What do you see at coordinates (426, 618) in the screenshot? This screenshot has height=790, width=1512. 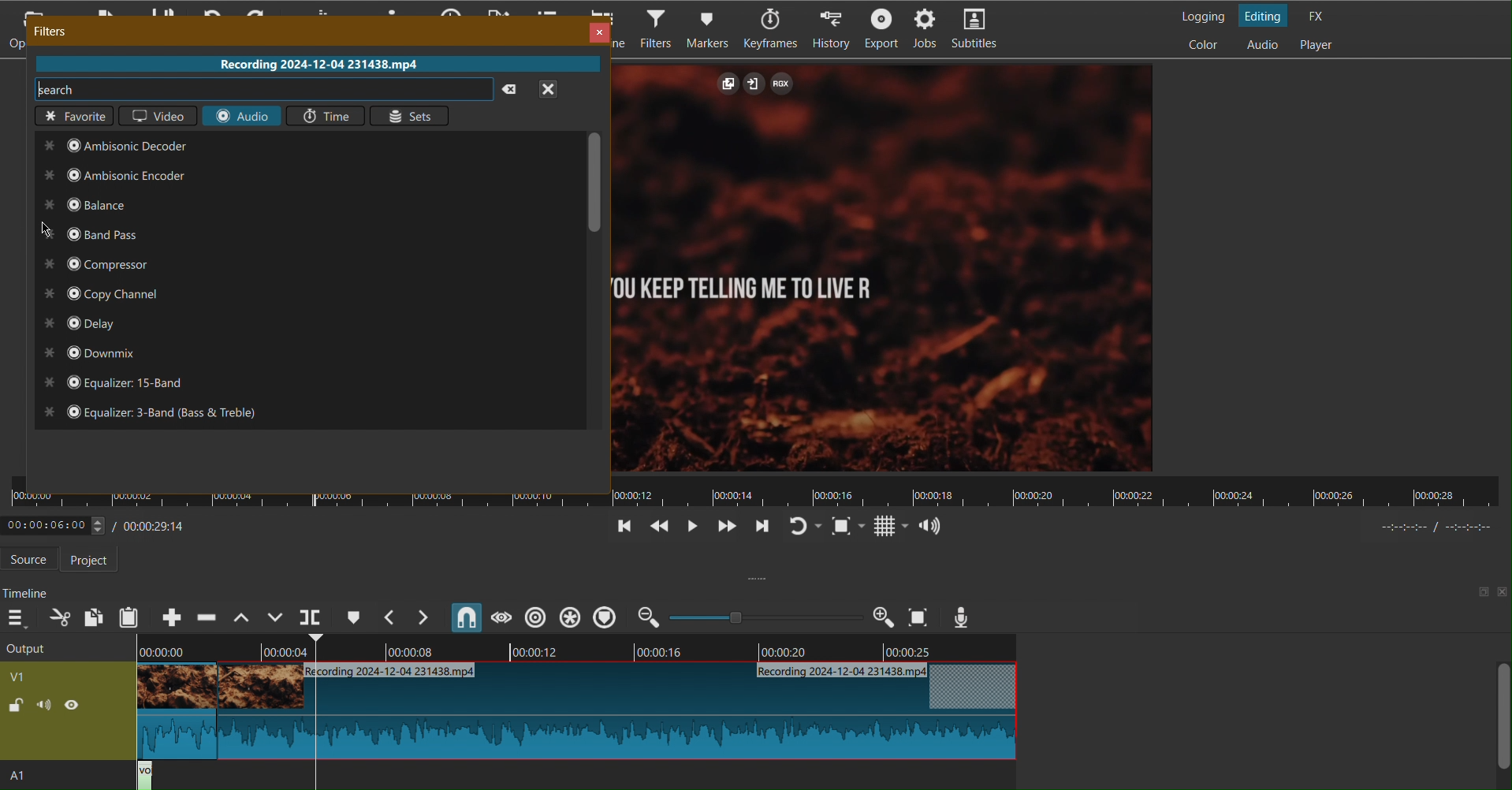 I see `Next Marker` at bounding box center [426, 618].